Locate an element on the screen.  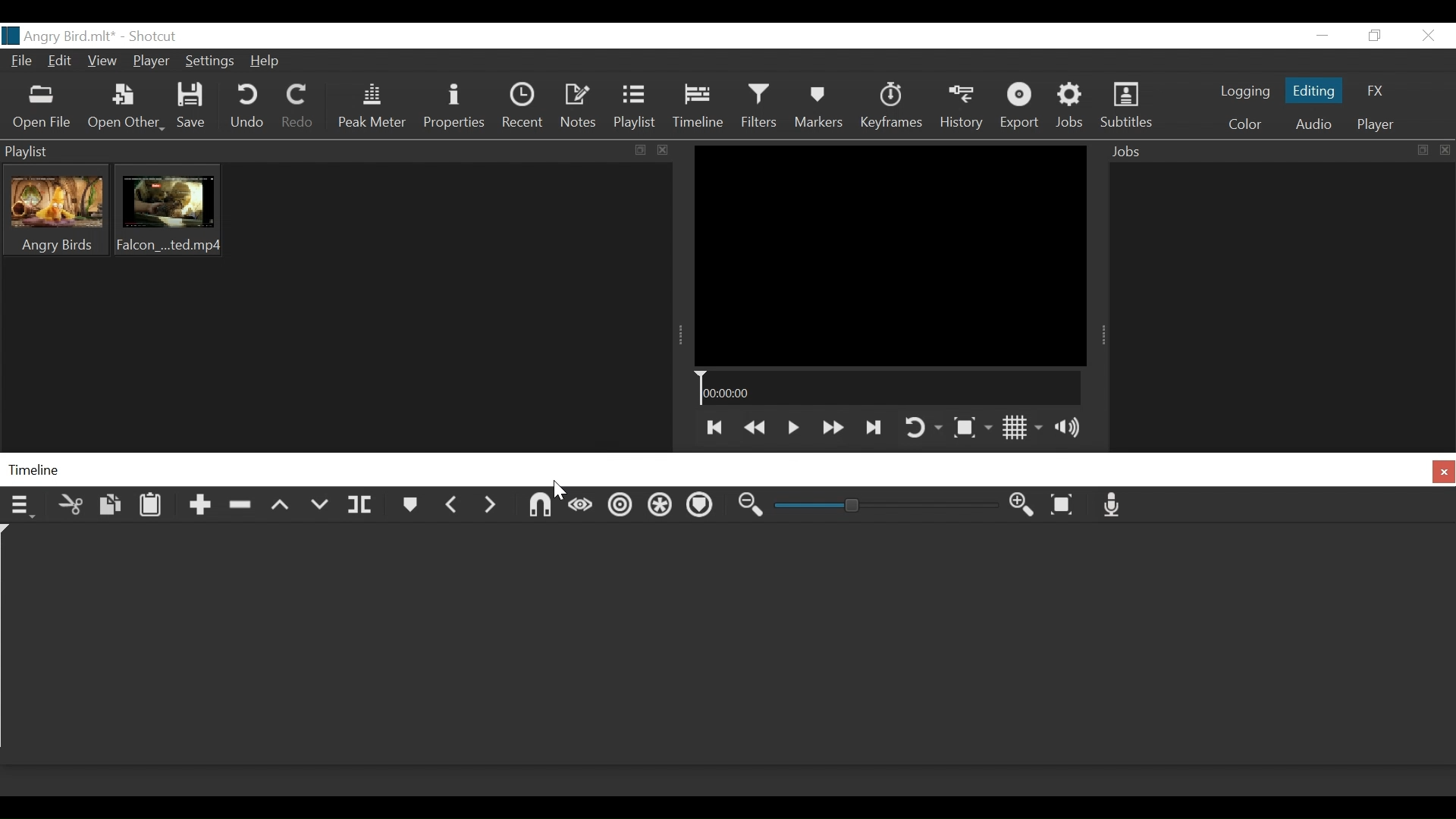
Restore is located at coordinates (1373, 36).